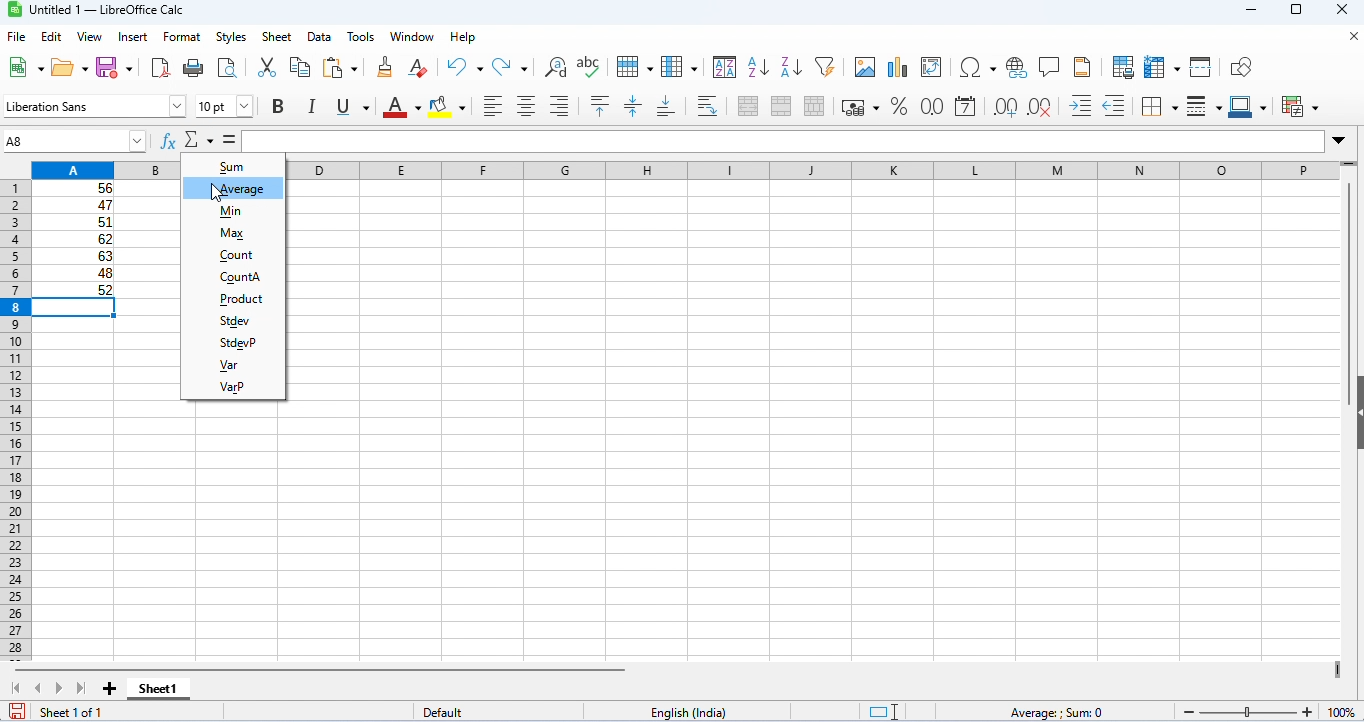  Describe the element at coordinates (965, 107) in the screenshot. I see `format as date` at that location.